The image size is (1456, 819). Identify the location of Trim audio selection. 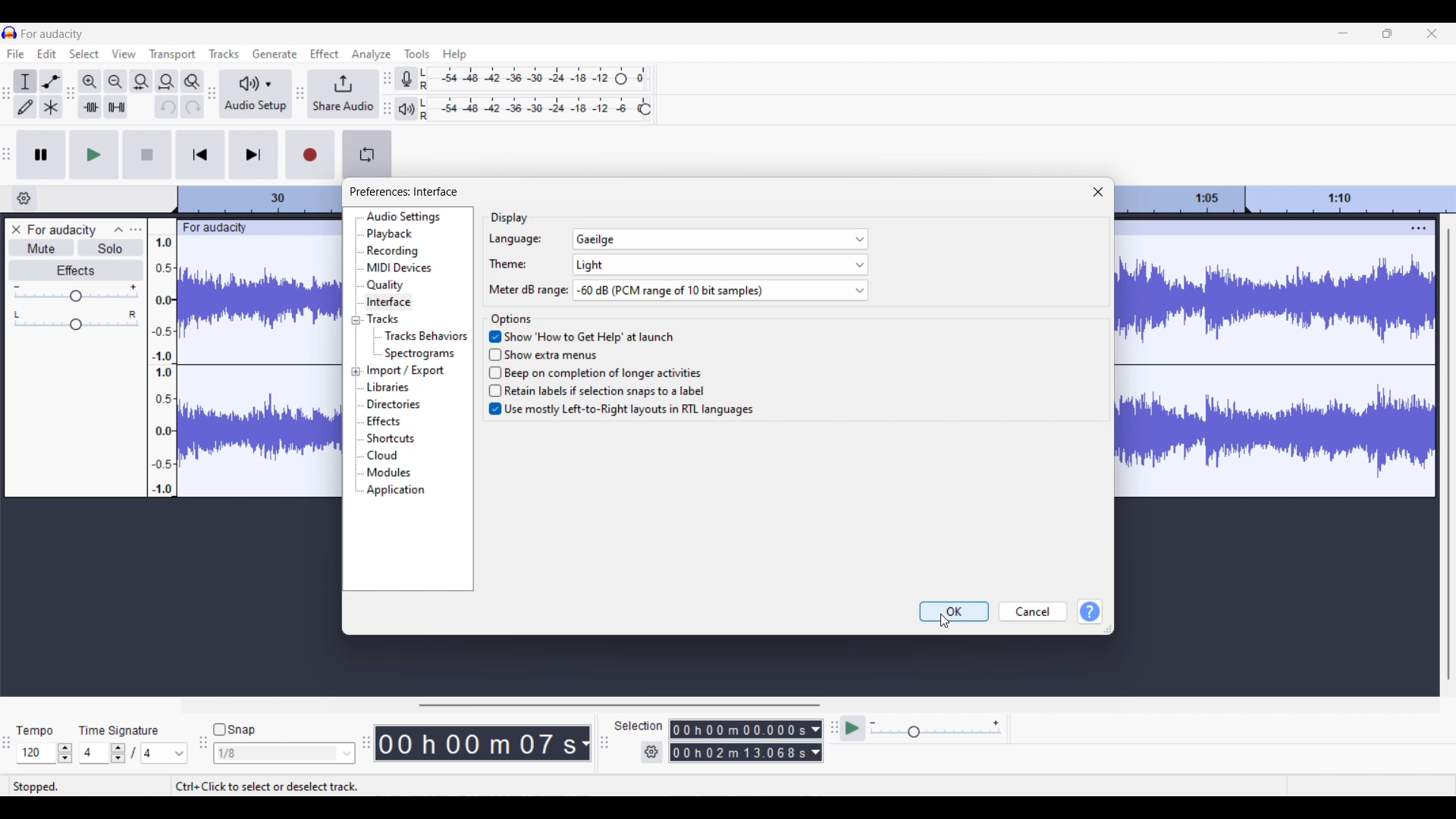
(89, 107).